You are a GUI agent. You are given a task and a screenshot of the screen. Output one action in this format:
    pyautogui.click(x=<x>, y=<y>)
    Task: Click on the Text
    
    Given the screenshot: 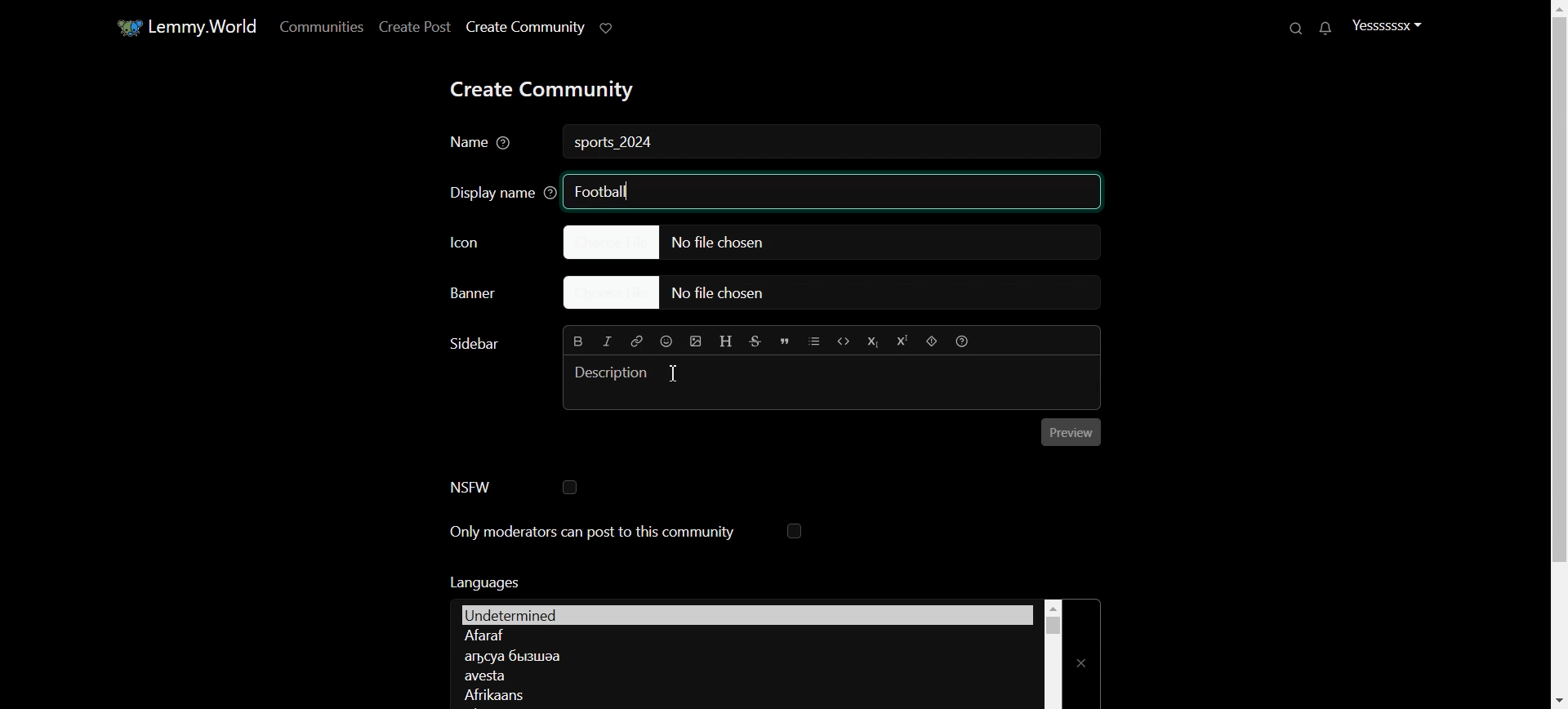 What is the action you would take?
    pyautogui.click(x=602, y=190)
    